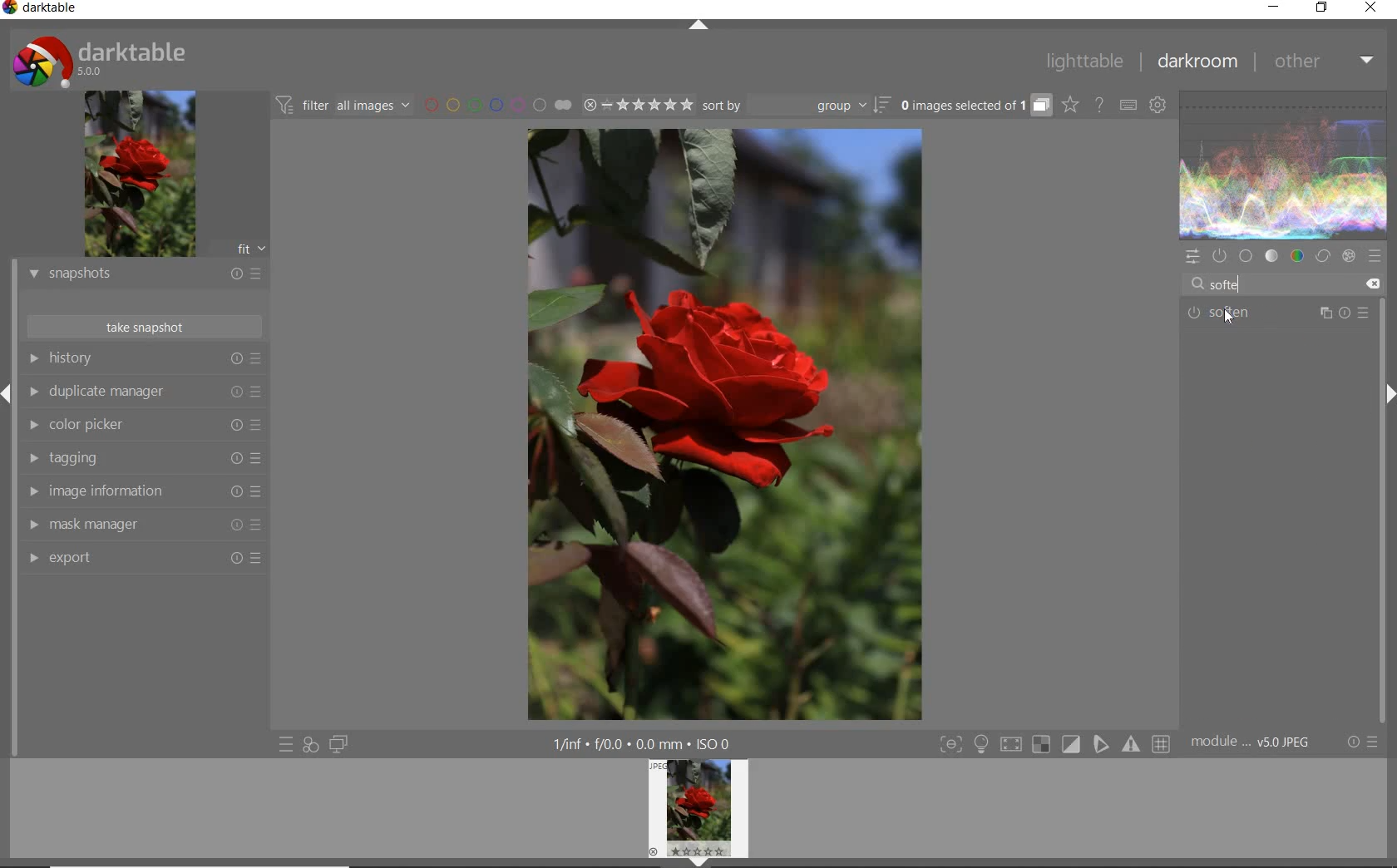  What do you see at coordinates (1271, 257) in the screenshot?
I see `tone` at bounding box center [1271, 257].